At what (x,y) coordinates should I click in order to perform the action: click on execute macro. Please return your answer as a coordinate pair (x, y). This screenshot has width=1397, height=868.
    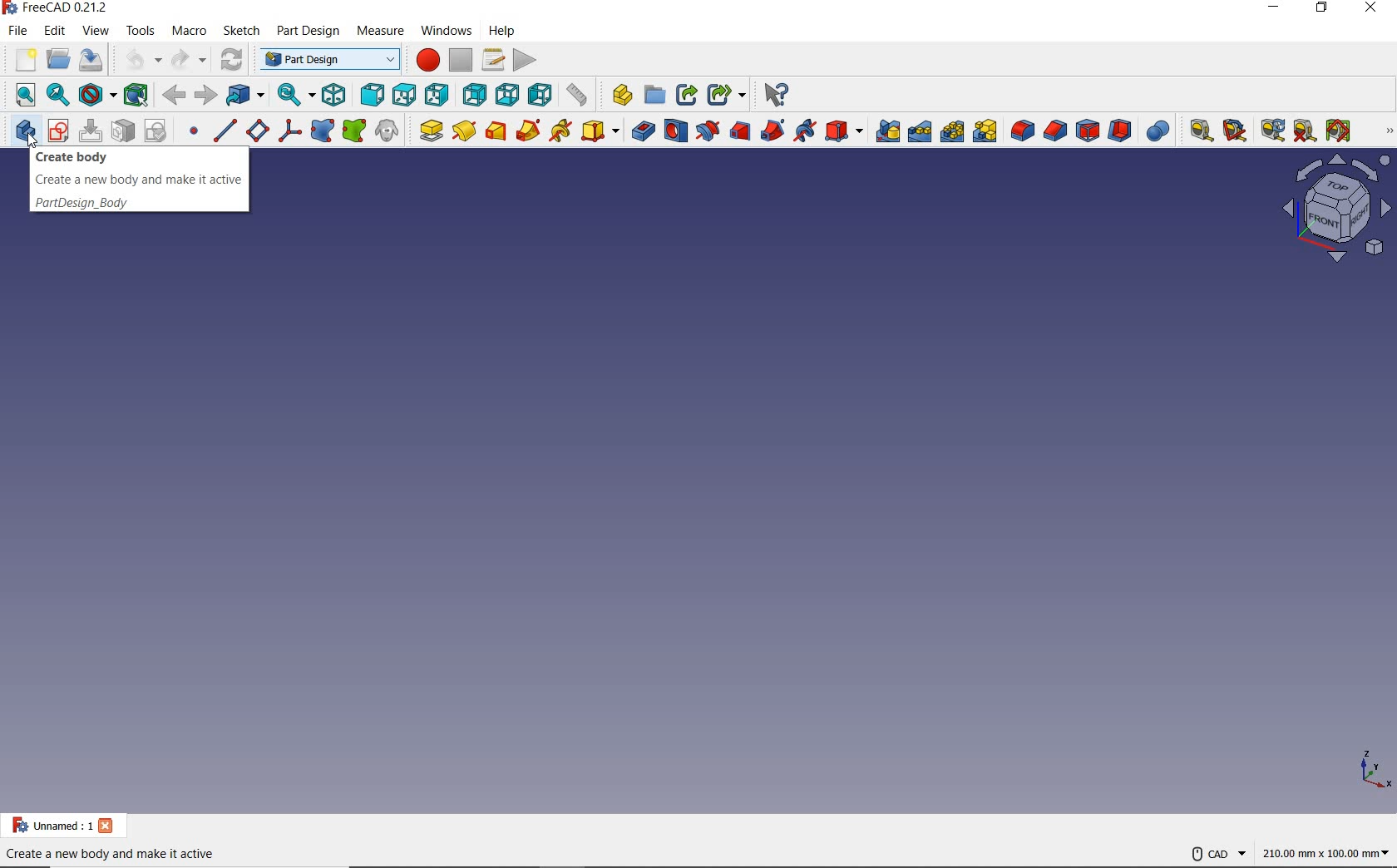
    Looking at the image, I should click on (526, 61).